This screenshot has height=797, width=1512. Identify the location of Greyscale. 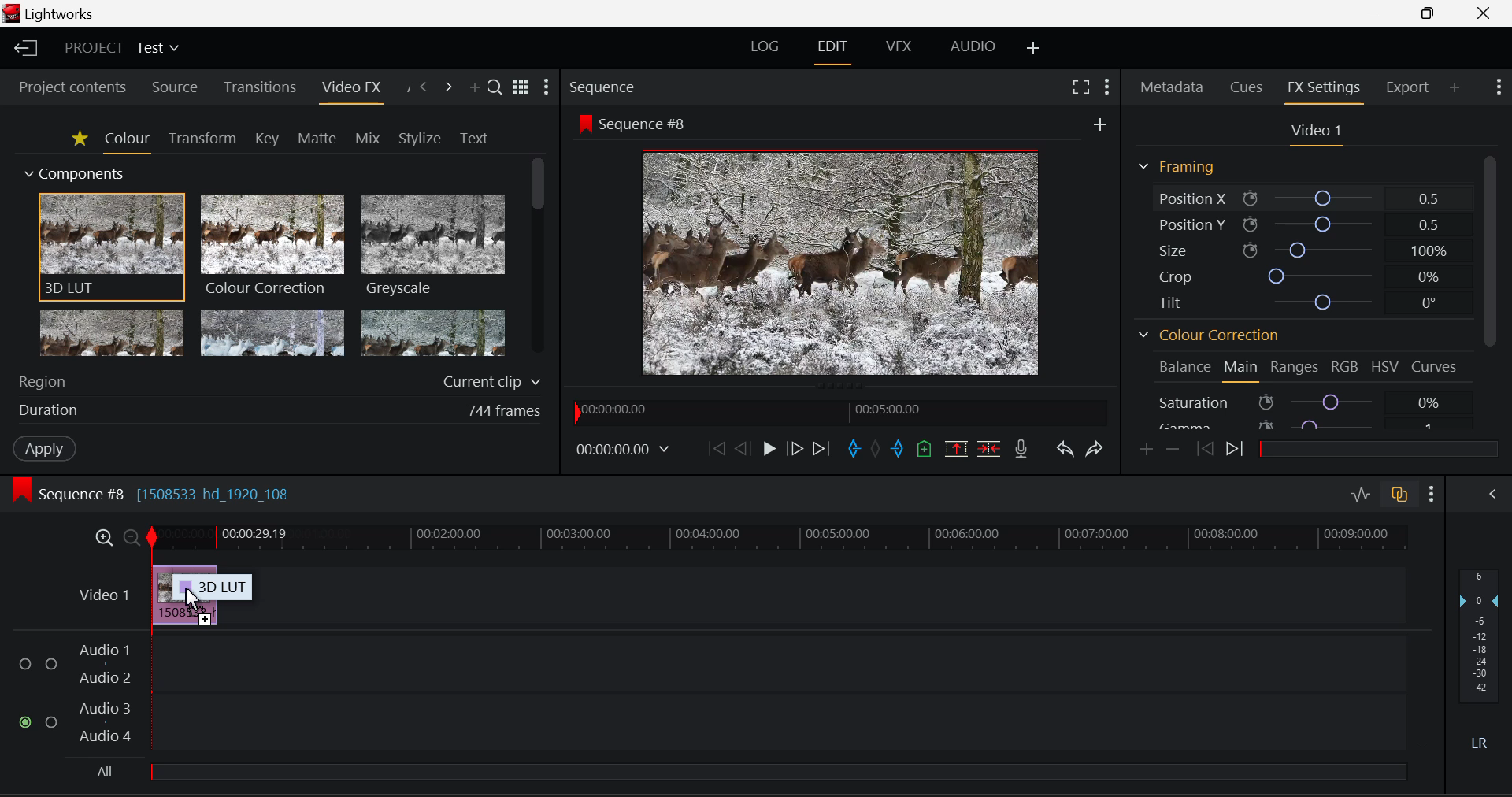
(432, 247).